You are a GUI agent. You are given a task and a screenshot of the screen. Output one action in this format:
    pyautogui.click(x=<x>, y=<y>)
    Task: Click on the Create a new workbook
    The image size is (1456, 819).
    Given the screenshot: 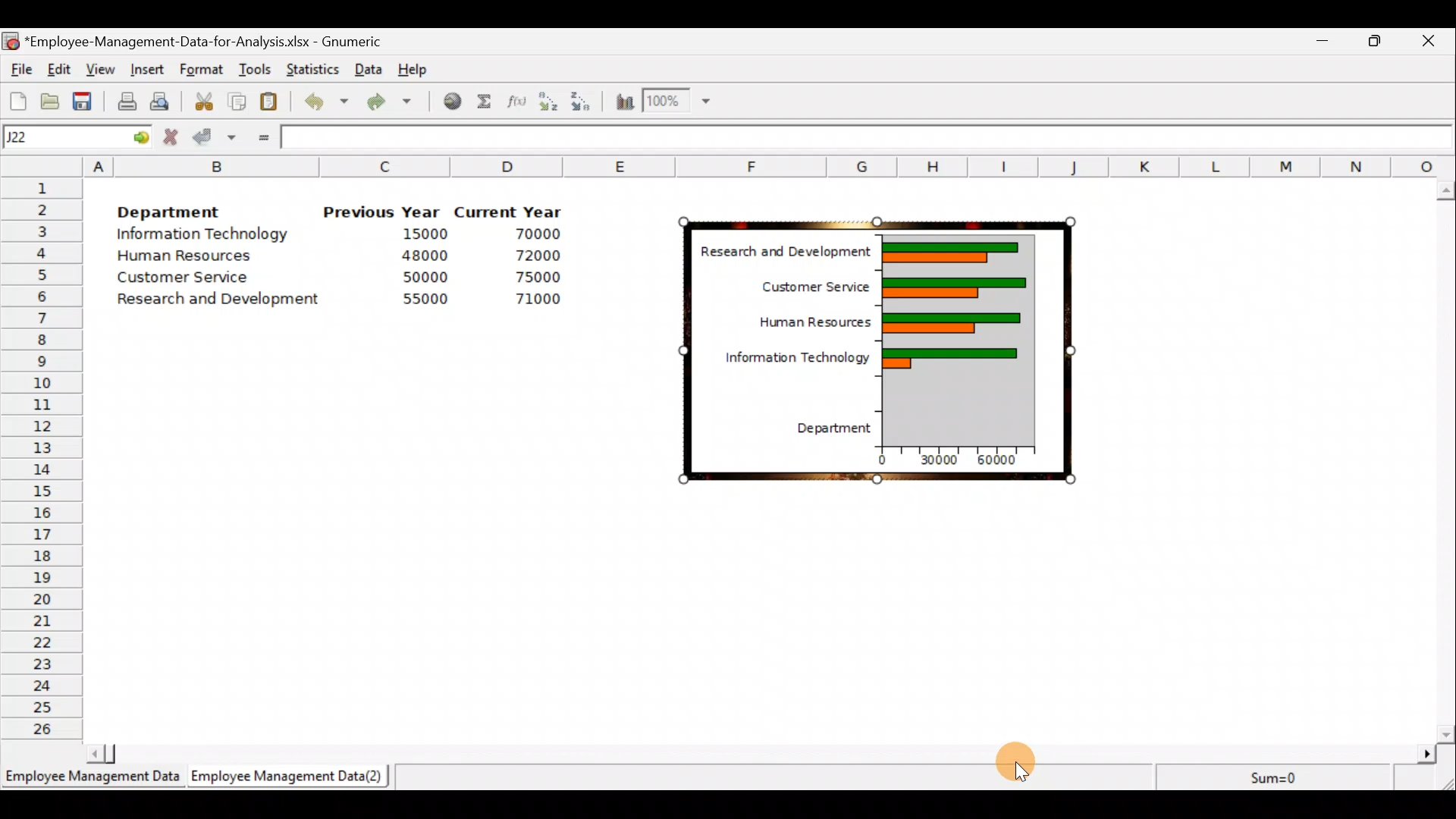 What is the action you would take?
    pyautogui.click(x=17, y=99)
    